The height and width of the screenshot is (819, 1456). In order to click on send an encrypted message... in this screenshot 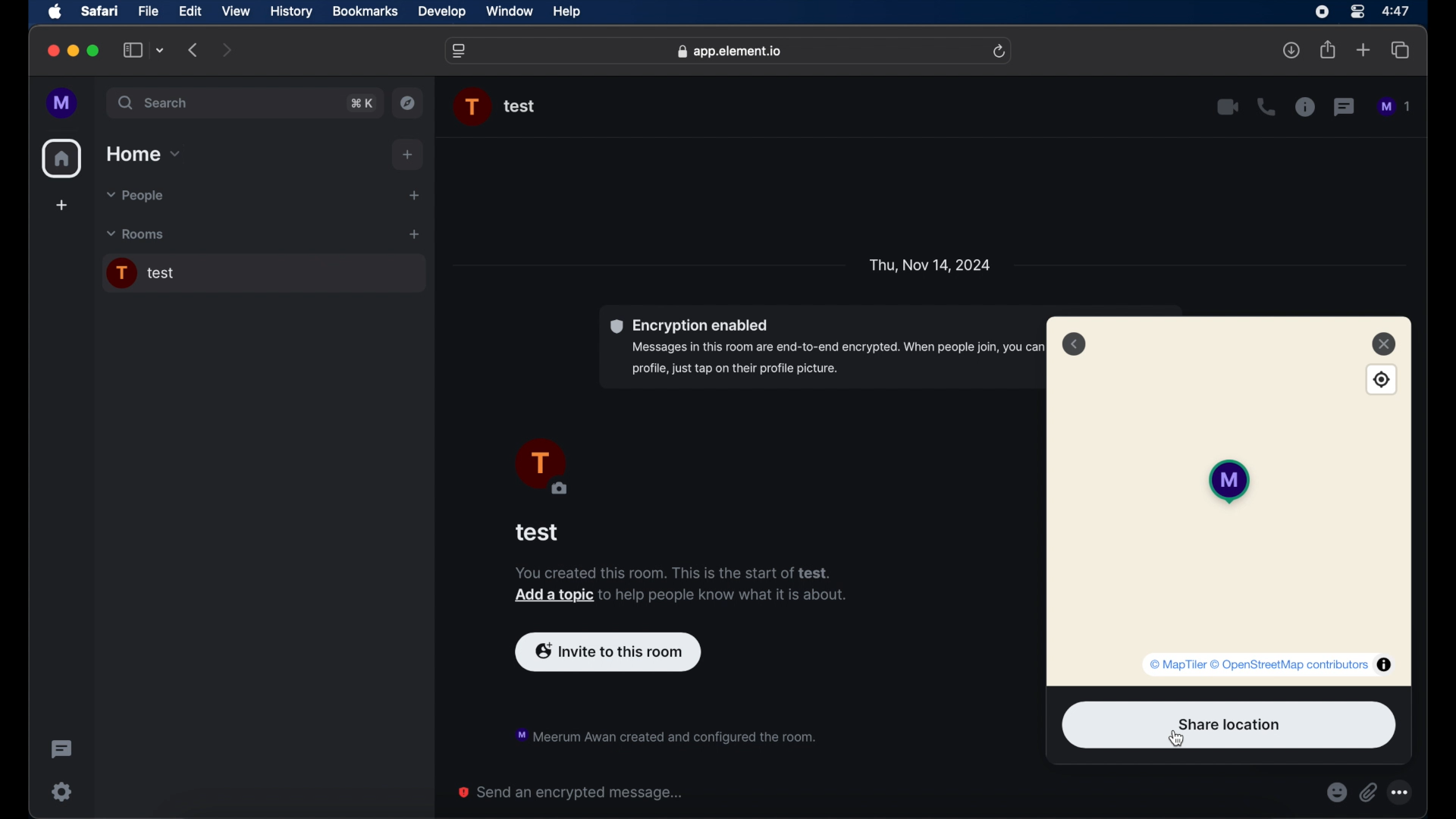, I will do `click(572, 792)`.